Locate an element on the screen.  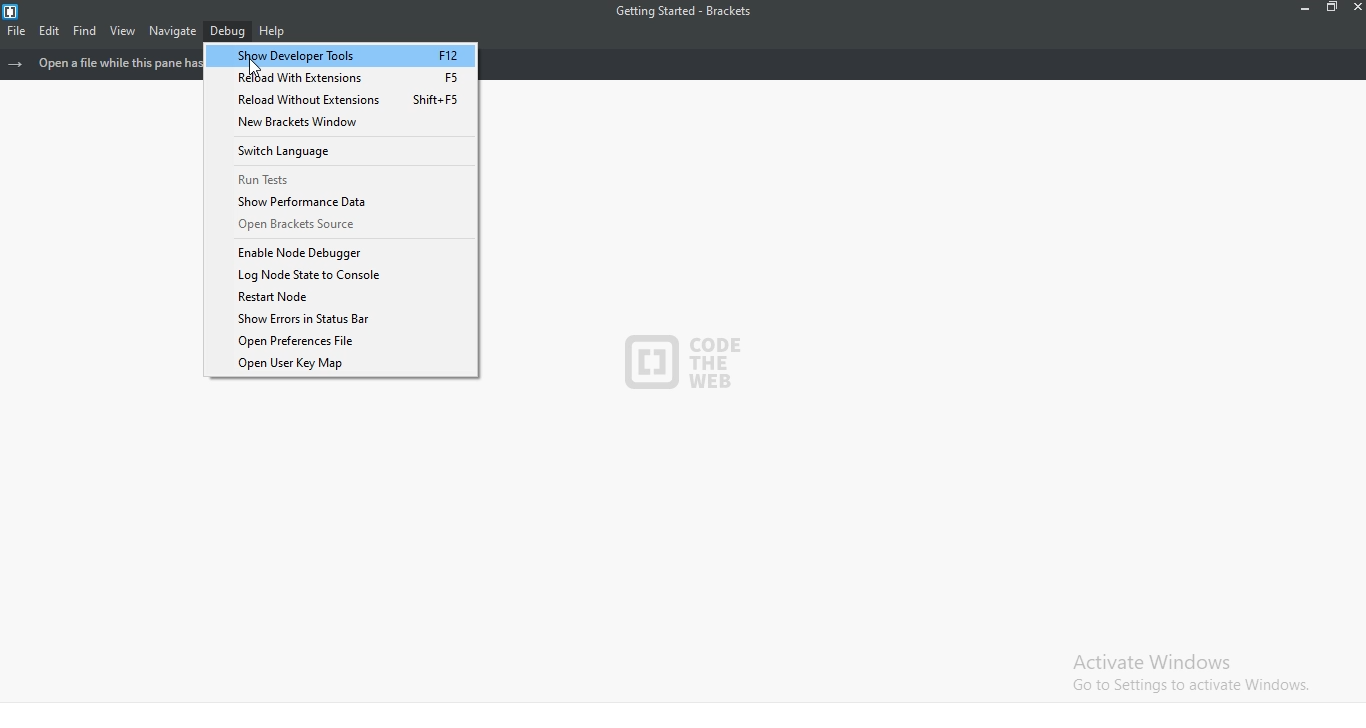
Open Preferences File is located at coordinates (342, 341).